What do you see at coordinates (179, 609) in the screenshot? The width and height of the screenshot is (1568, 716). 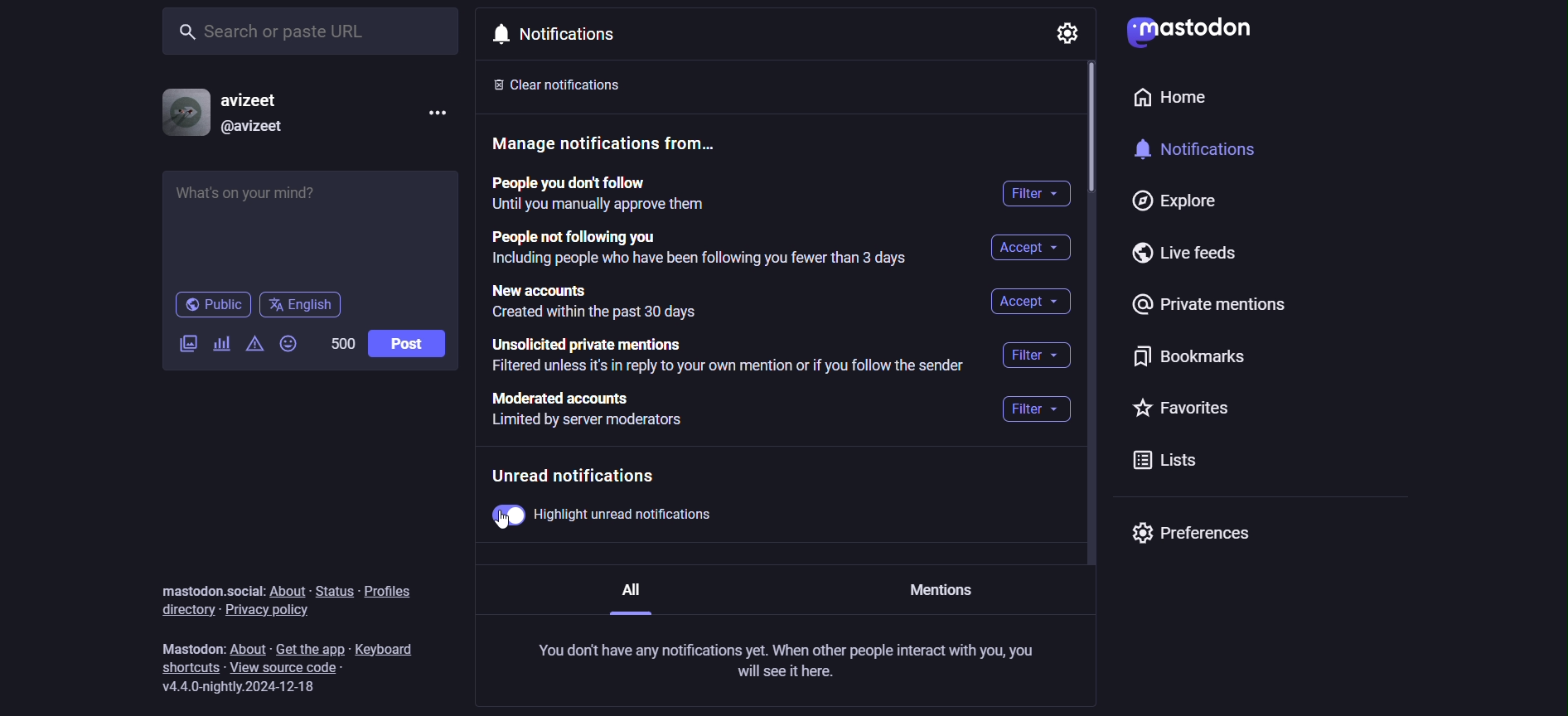 I see `directory` at bounding box center [179, 609].